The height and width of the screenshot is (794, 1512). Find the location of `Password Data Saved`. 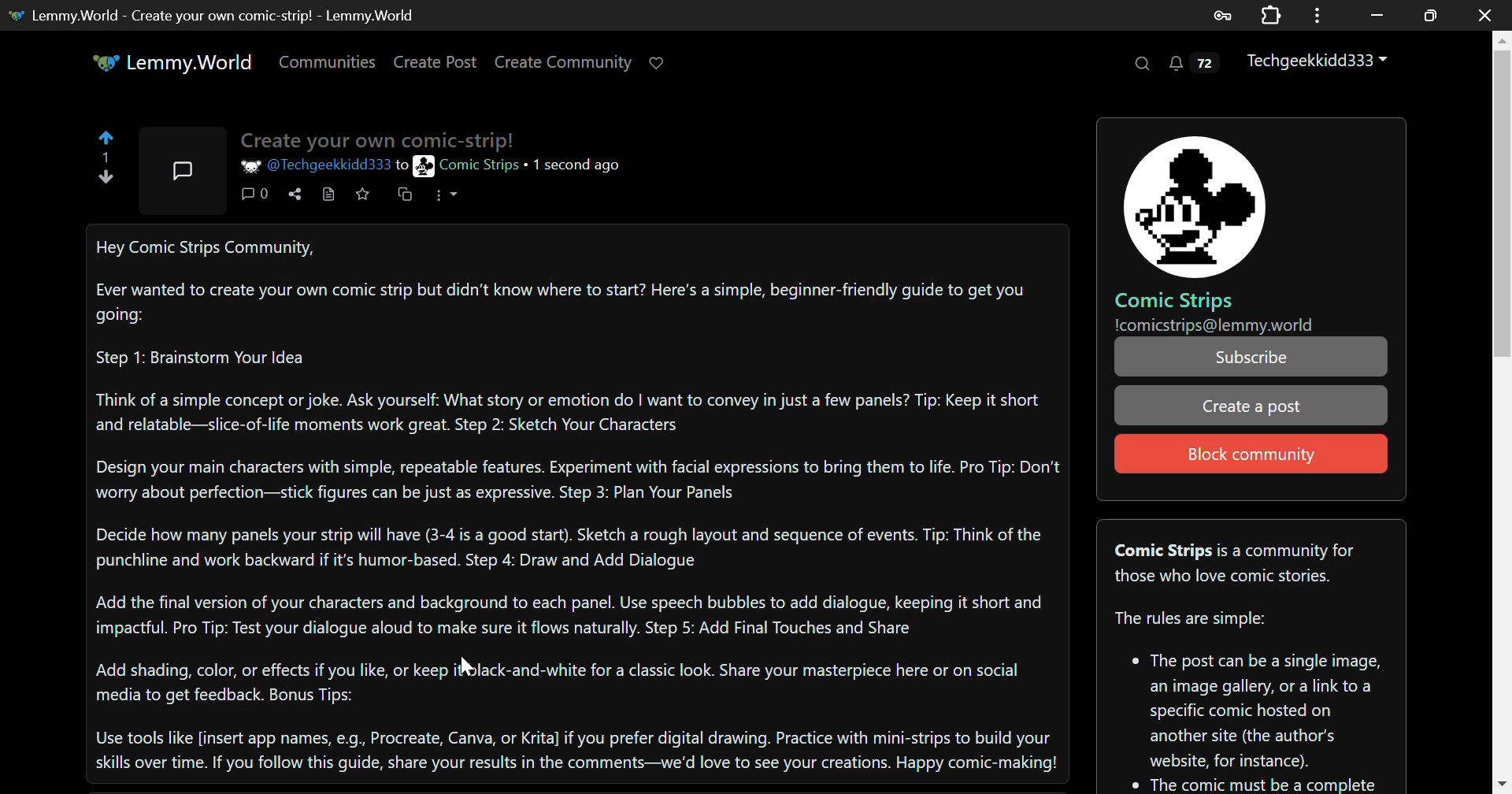

Password Data Saved is located at coordinates (1224, 14).